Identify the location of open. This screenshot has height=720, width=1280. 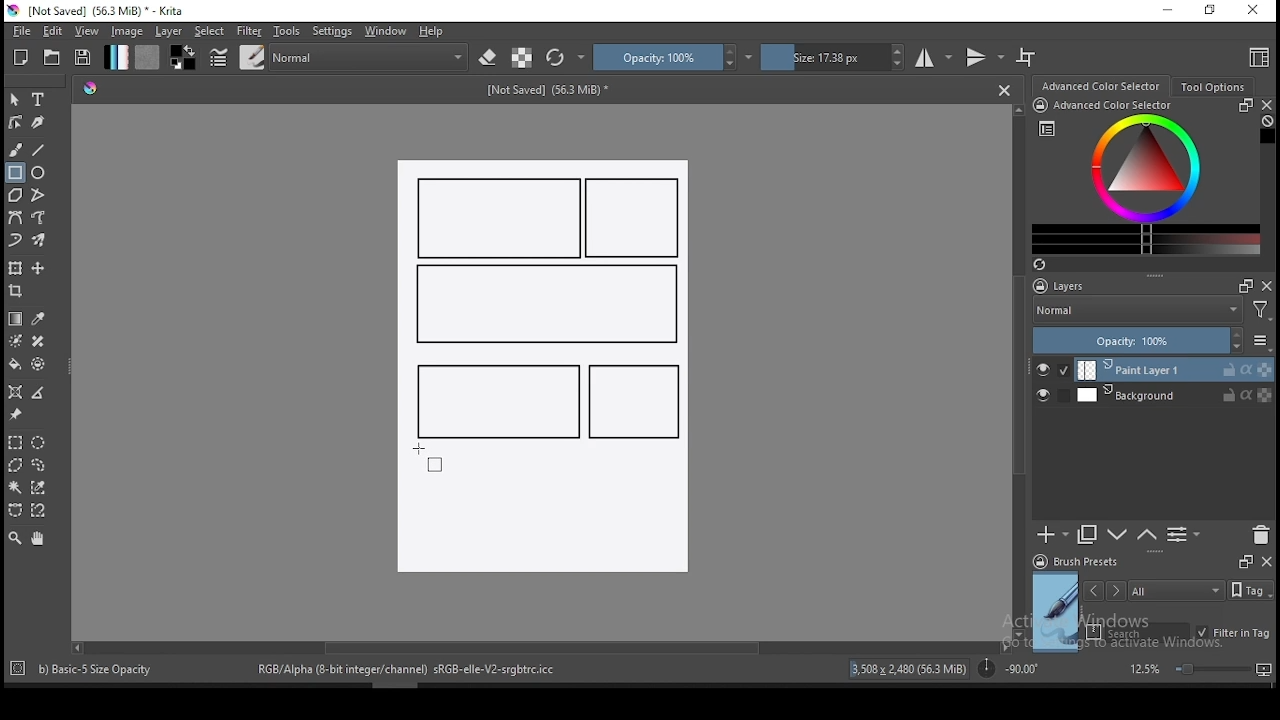
(52, 57).